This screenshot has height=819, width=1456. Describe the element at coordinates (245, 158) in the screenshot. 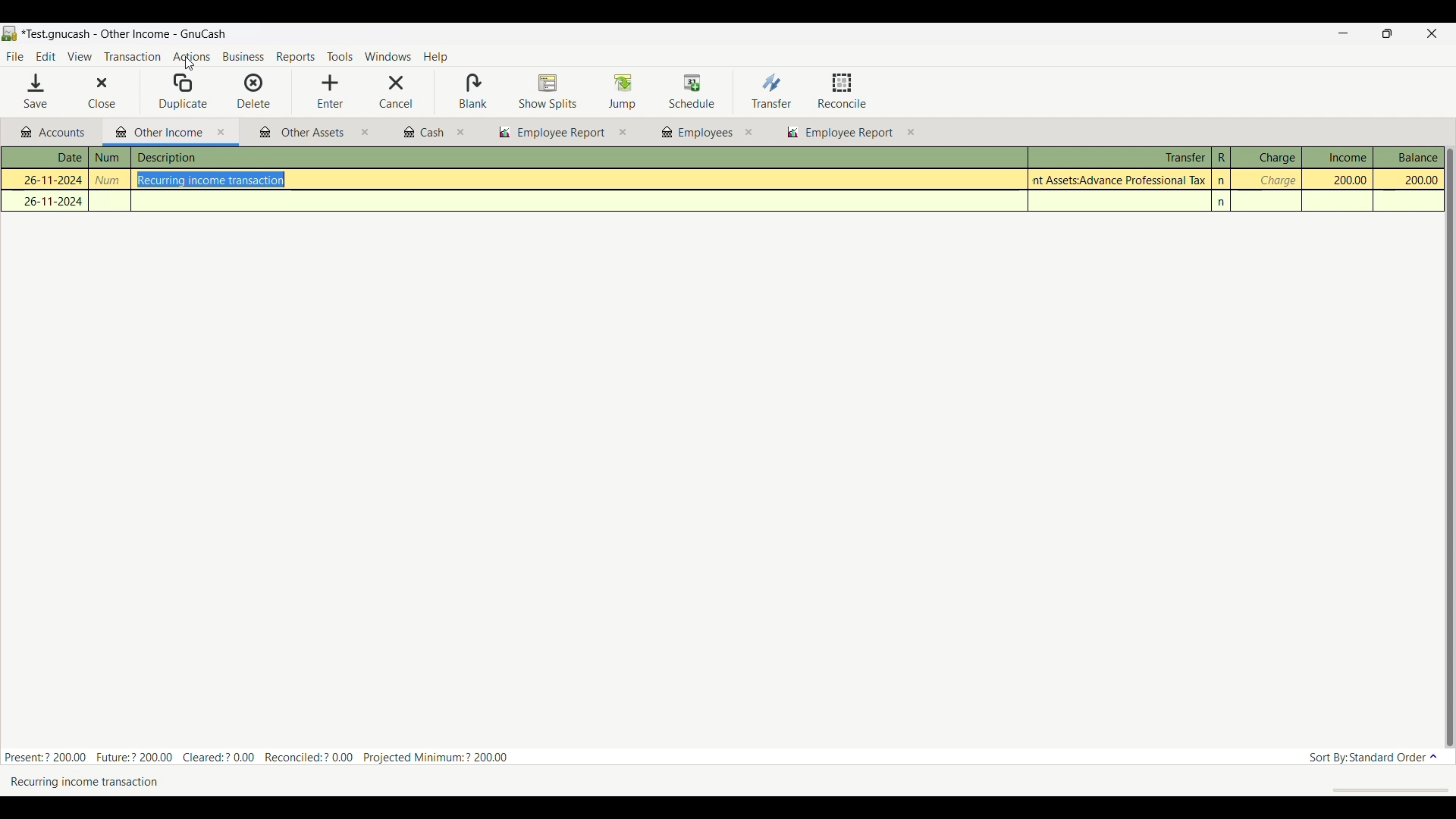

I see `description` at that location.